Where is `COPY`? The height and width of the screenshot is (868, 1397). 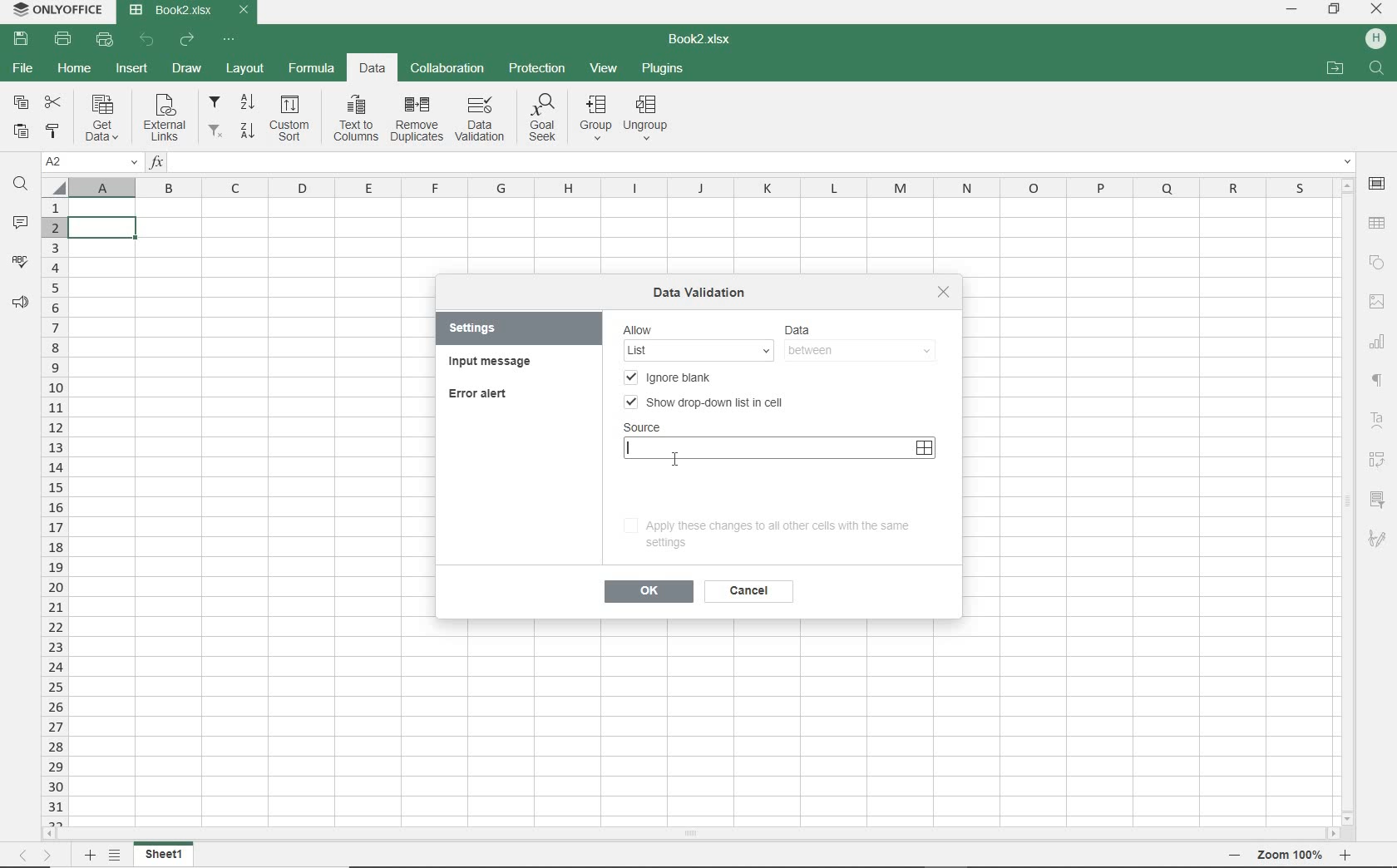 COPY is located at coordinates (20, 104).